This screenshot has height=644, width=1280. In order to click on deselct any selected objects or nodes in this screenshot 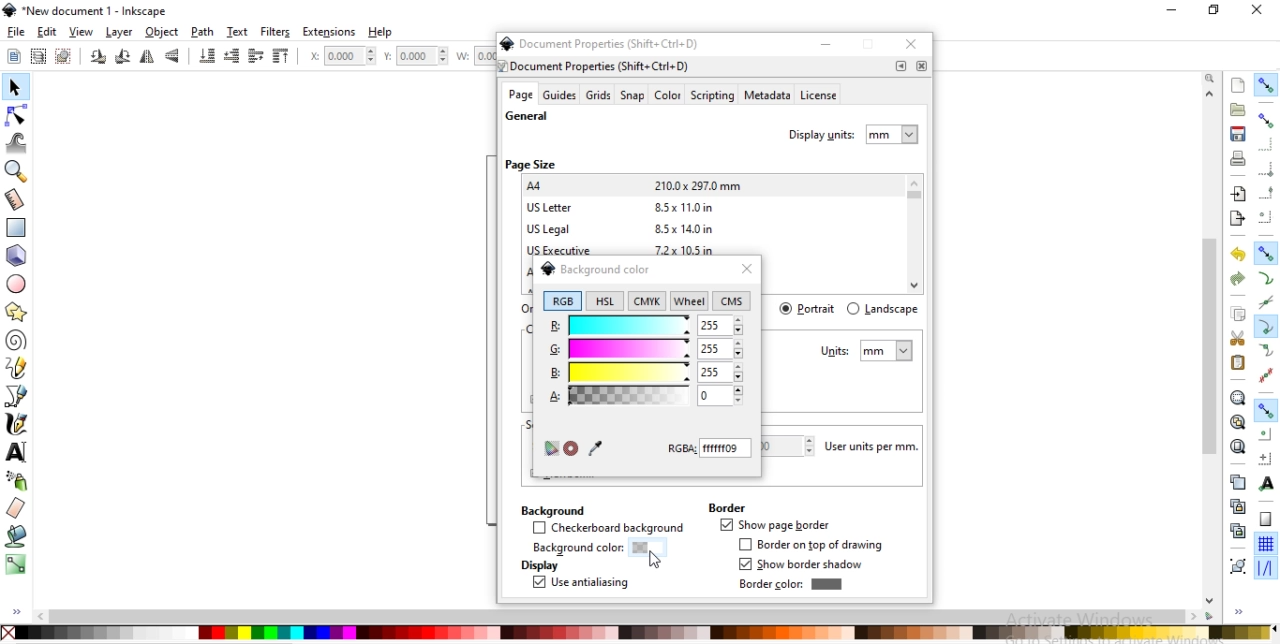, I will do `click(63, 55)`.